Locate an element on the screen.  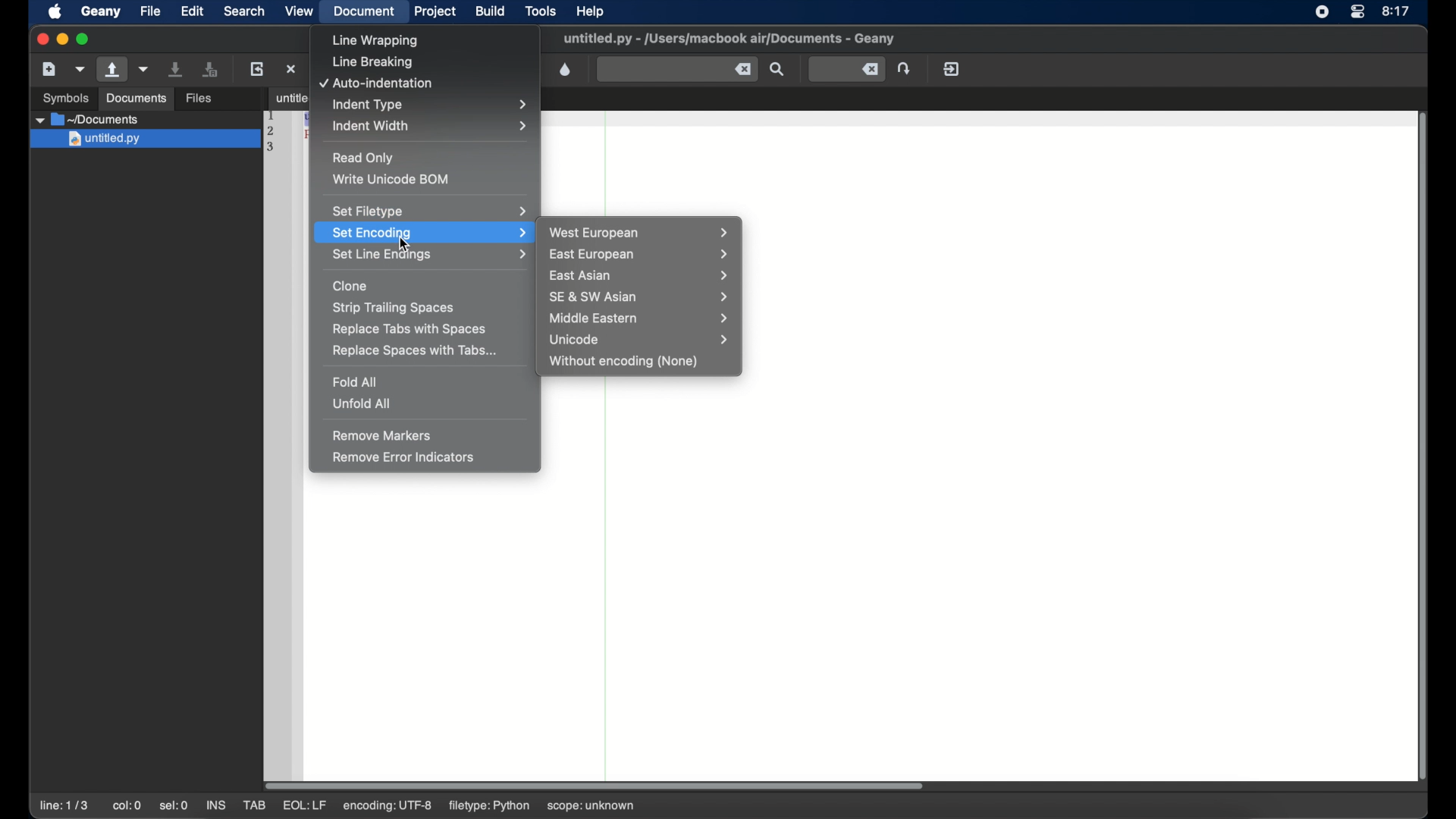
remove markers is located at coordinates (382, 435).